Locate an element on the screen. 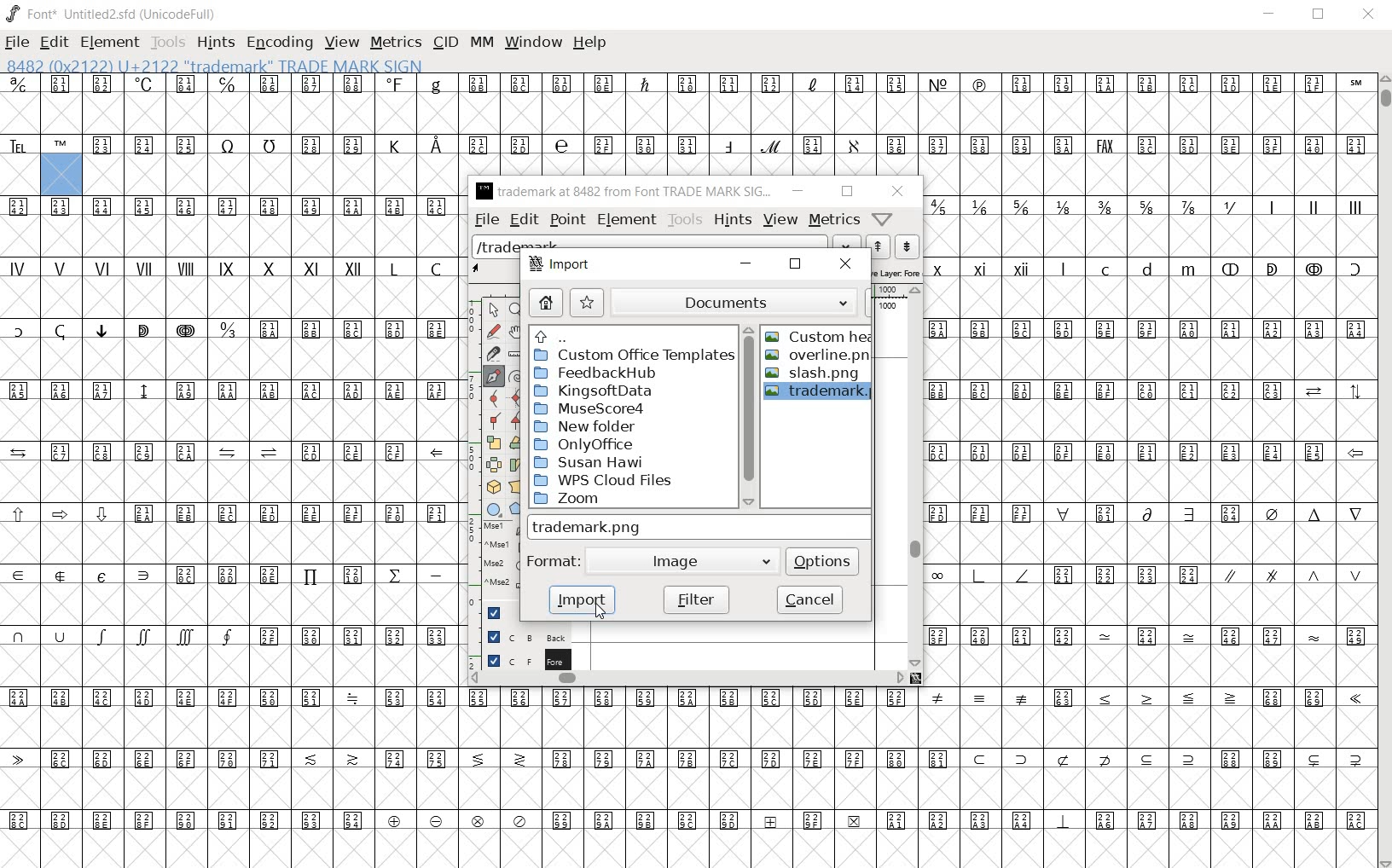 The image size is (1392, 868). view is located at coordinates (780, 220).